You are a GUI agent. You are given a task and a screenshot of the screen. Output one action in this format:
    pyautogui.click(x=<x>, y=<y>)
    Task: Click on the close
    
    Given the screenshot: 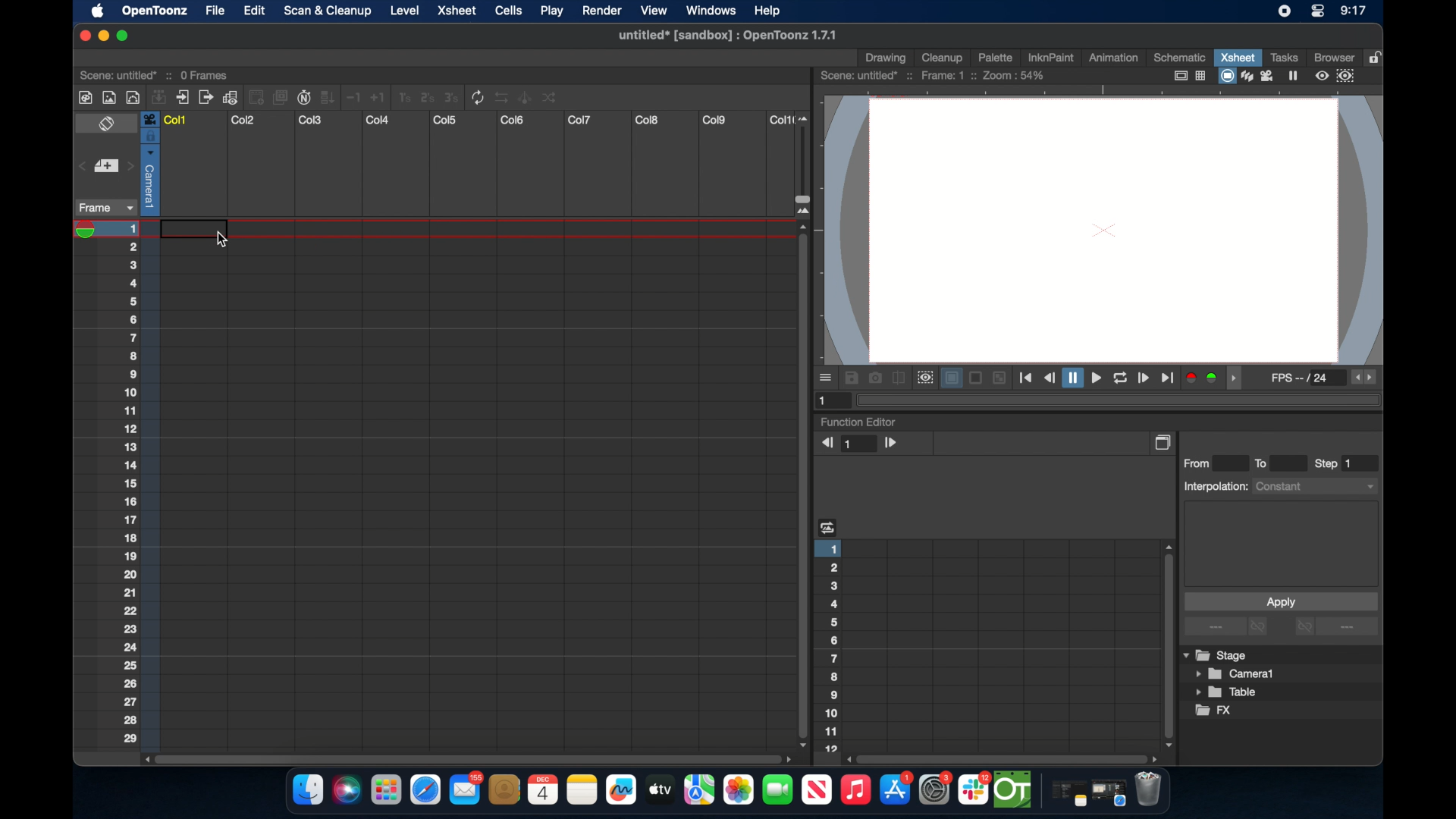 What is the action you would take?
    pyautogui.click(x=82, y=36)
    